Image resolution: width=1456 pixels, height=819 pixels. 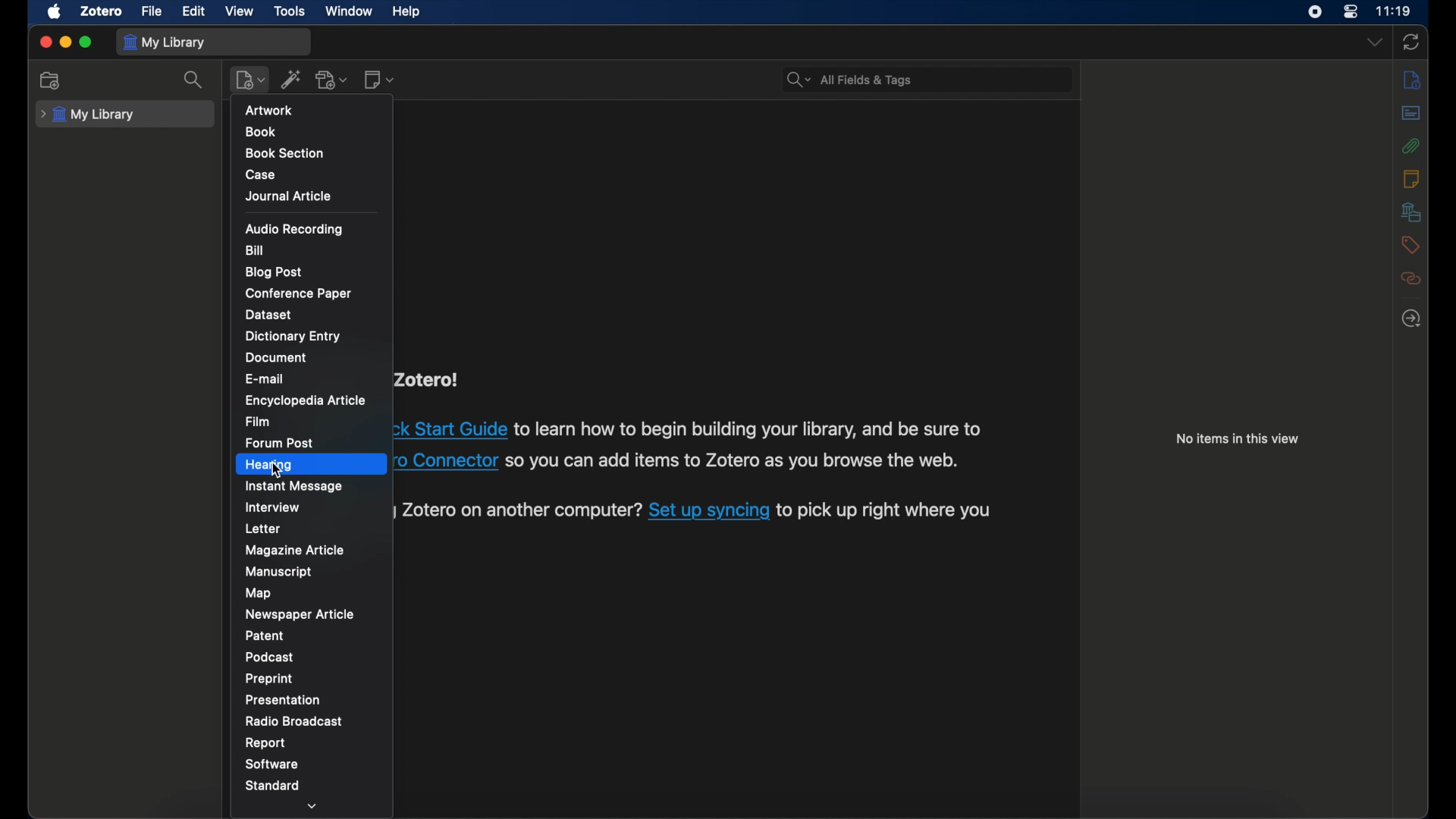 I want to click on preprint, so click(x=270, y=679).